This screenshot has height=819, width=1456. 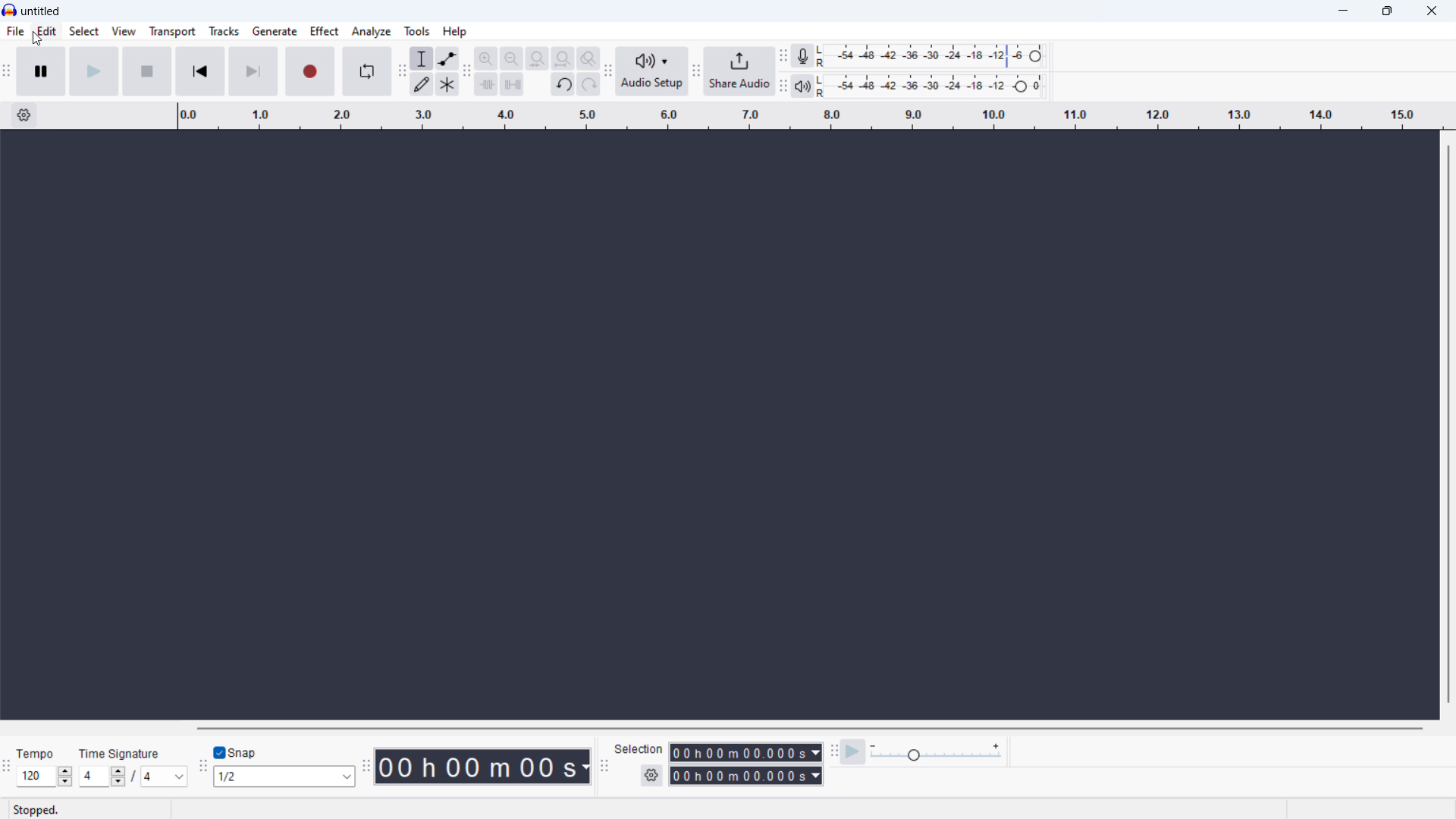 What do you see at coordinates (39, 41) in the screenshot?
I see `cursor` at bounding box center [39, 41].